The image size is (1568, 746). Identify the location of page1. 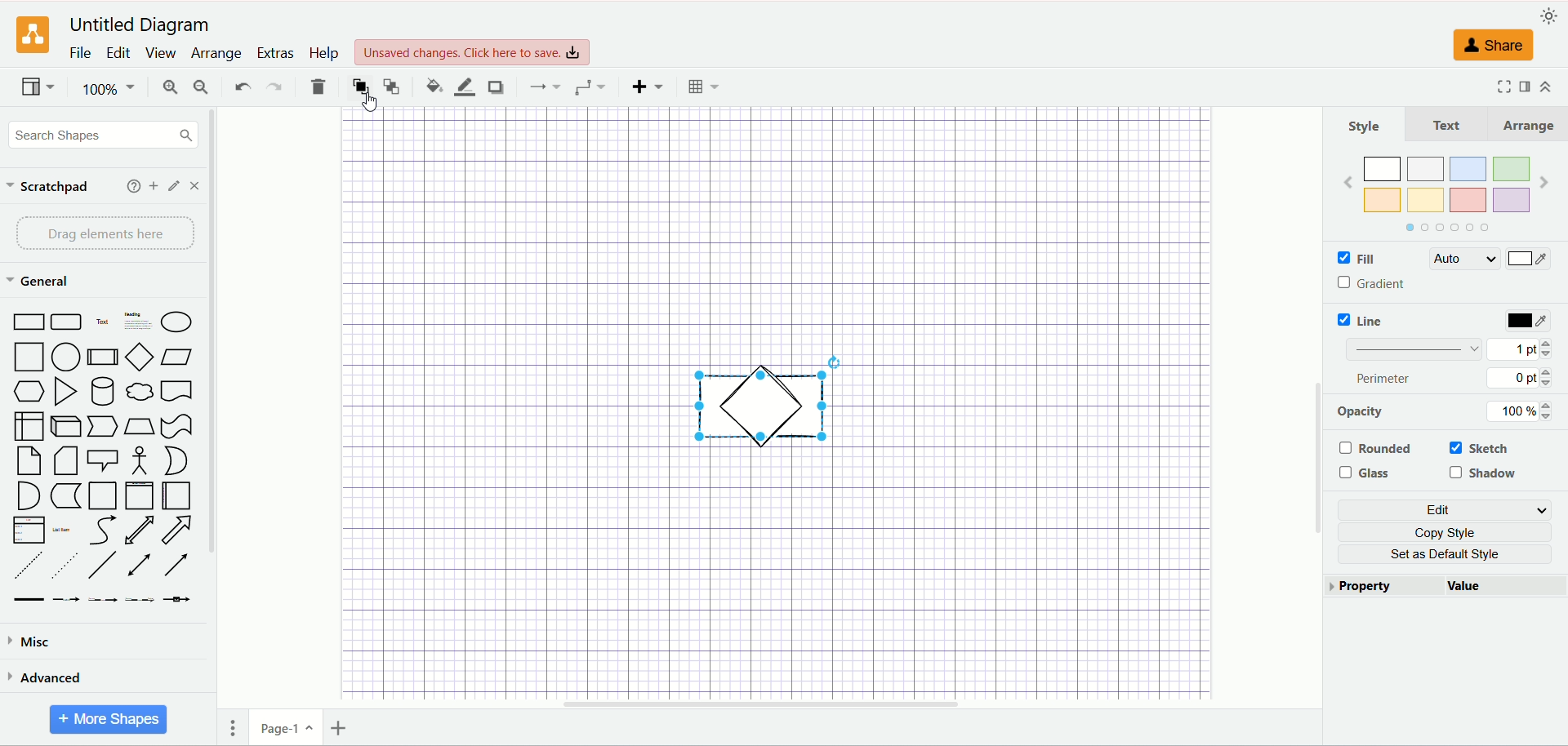
(292, 729).